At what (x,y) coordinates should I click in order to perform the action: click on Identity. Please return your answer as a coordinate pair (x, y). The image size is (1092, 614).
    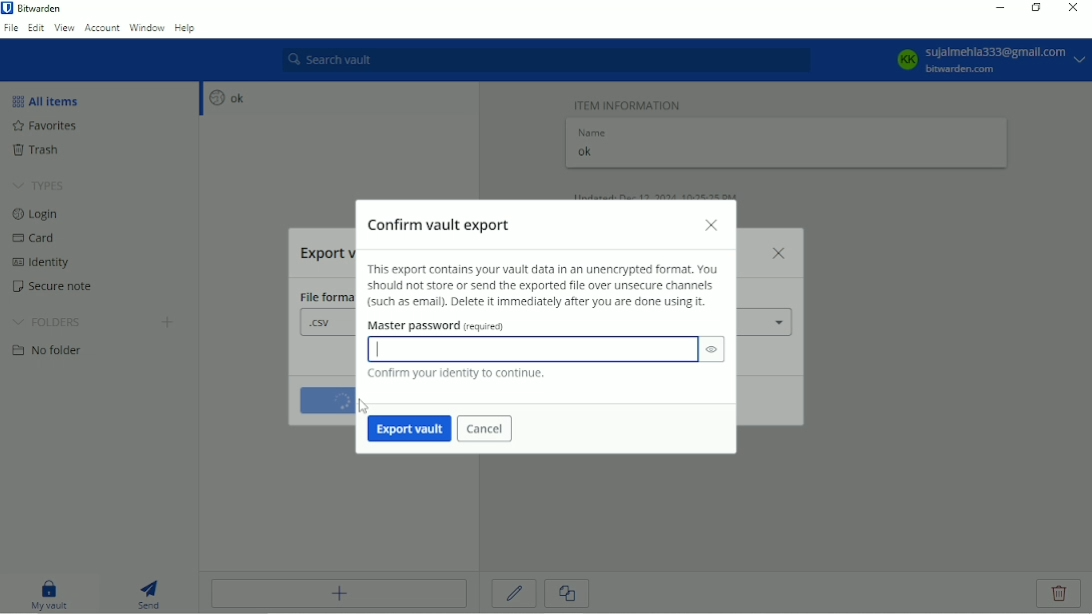
    Looking at the image, I should click on (47, 264).